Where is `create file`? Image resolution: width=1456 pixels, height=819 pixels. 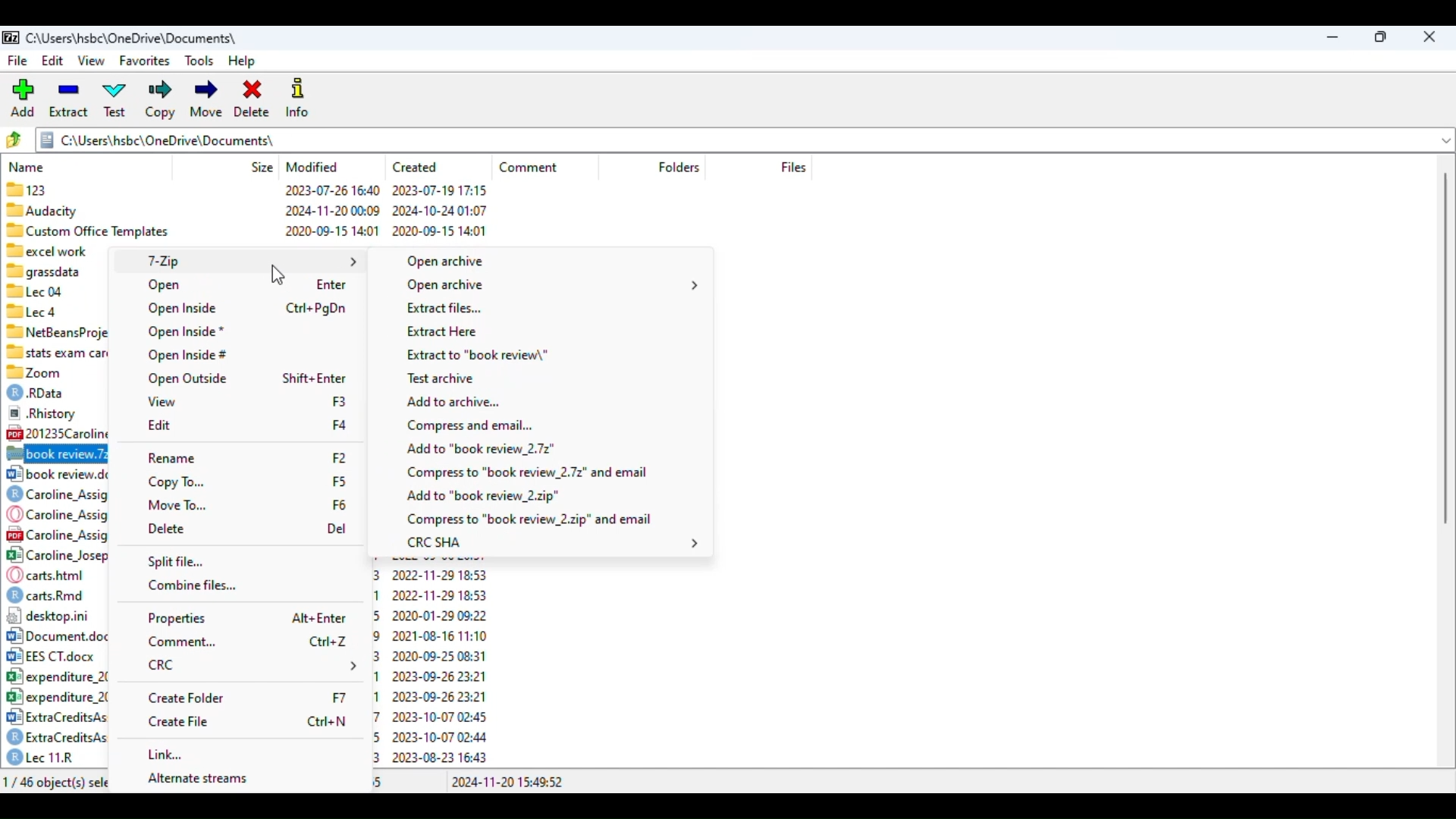 create file is located at coordinates (179, 721).